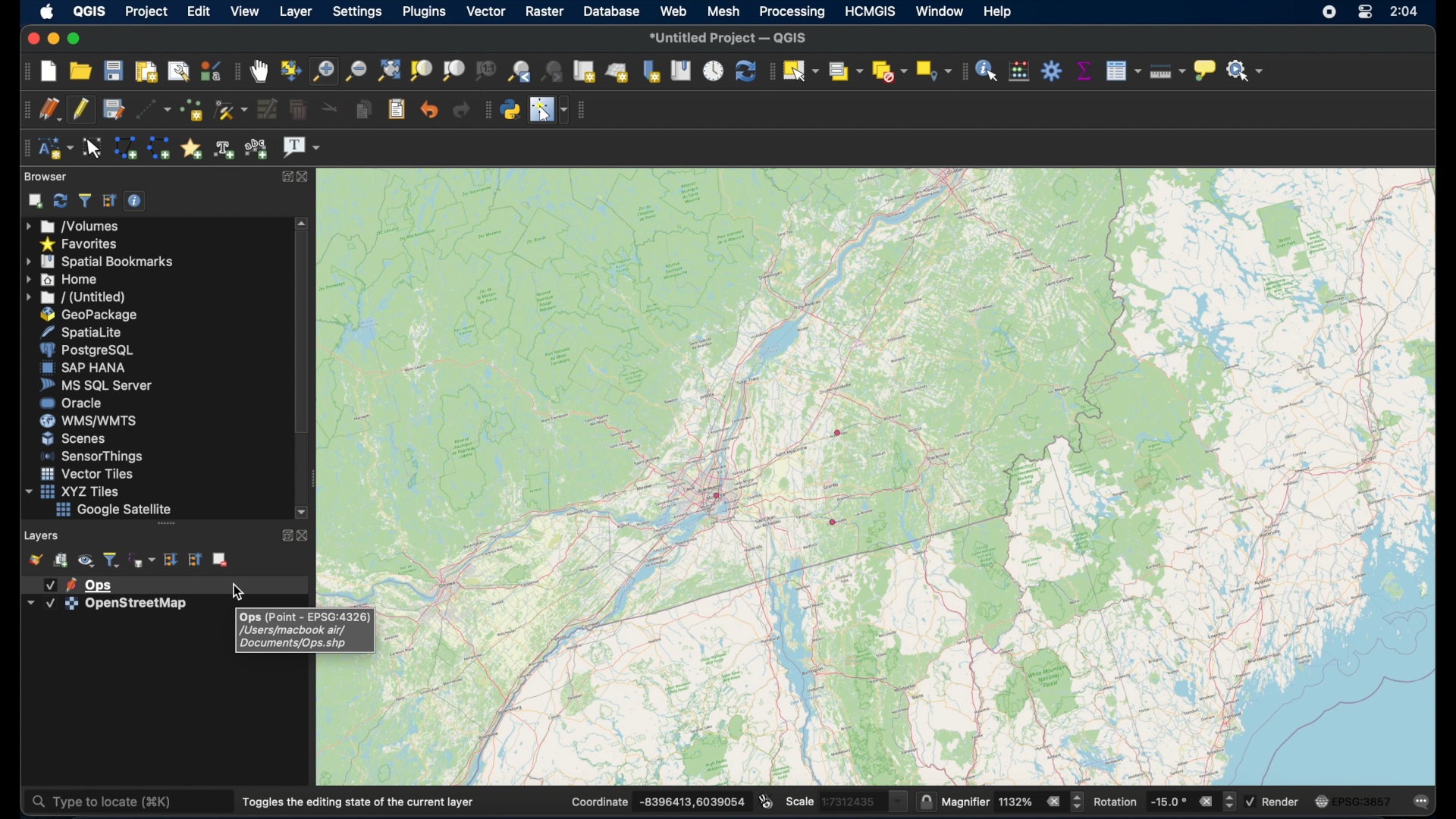  Describe the element at coordinates (717, 494) in the screenshot. I see `point feature` at that location.